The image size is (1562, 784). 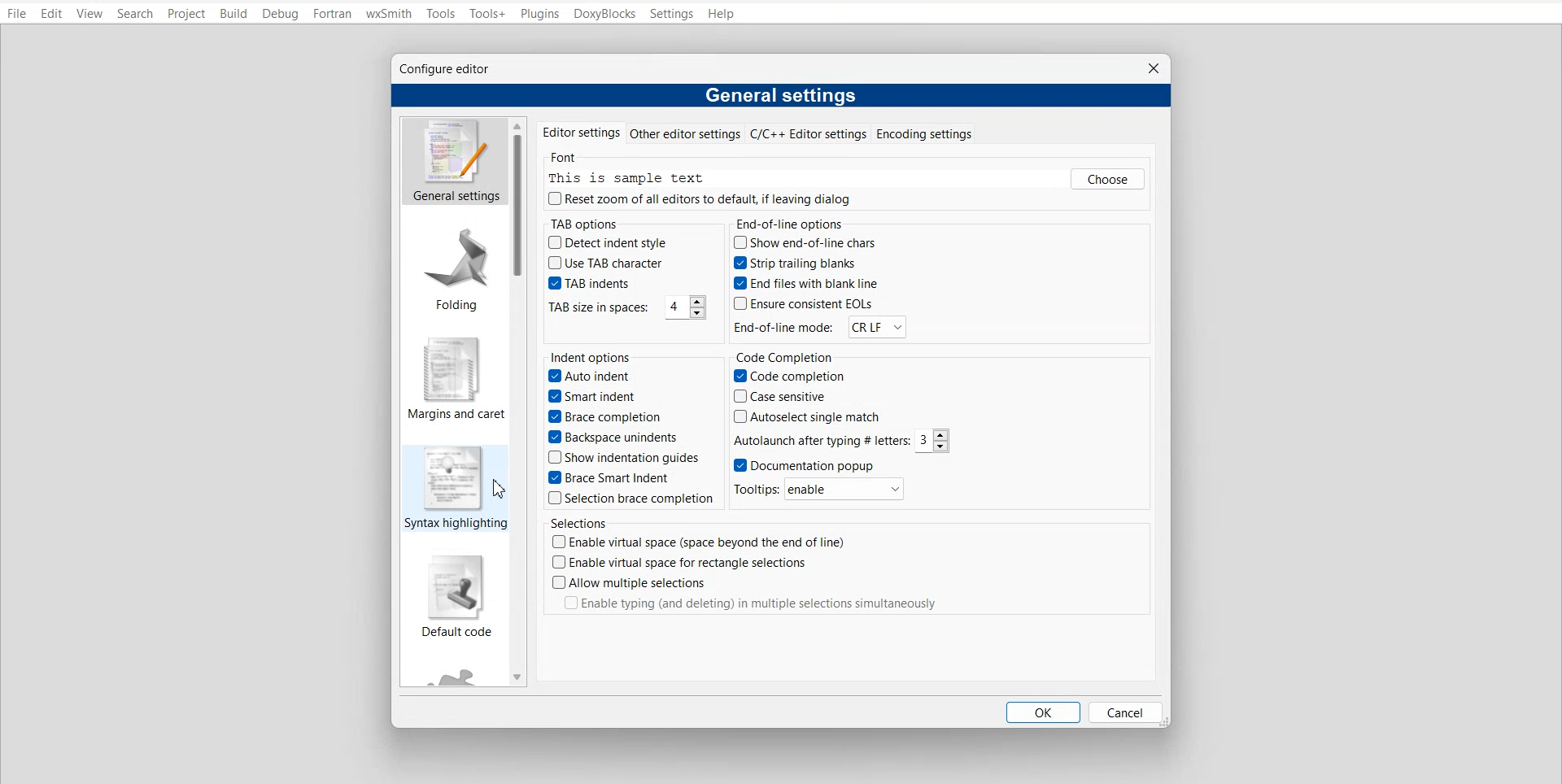 I want to click on Search, so click(x=136, y=13).